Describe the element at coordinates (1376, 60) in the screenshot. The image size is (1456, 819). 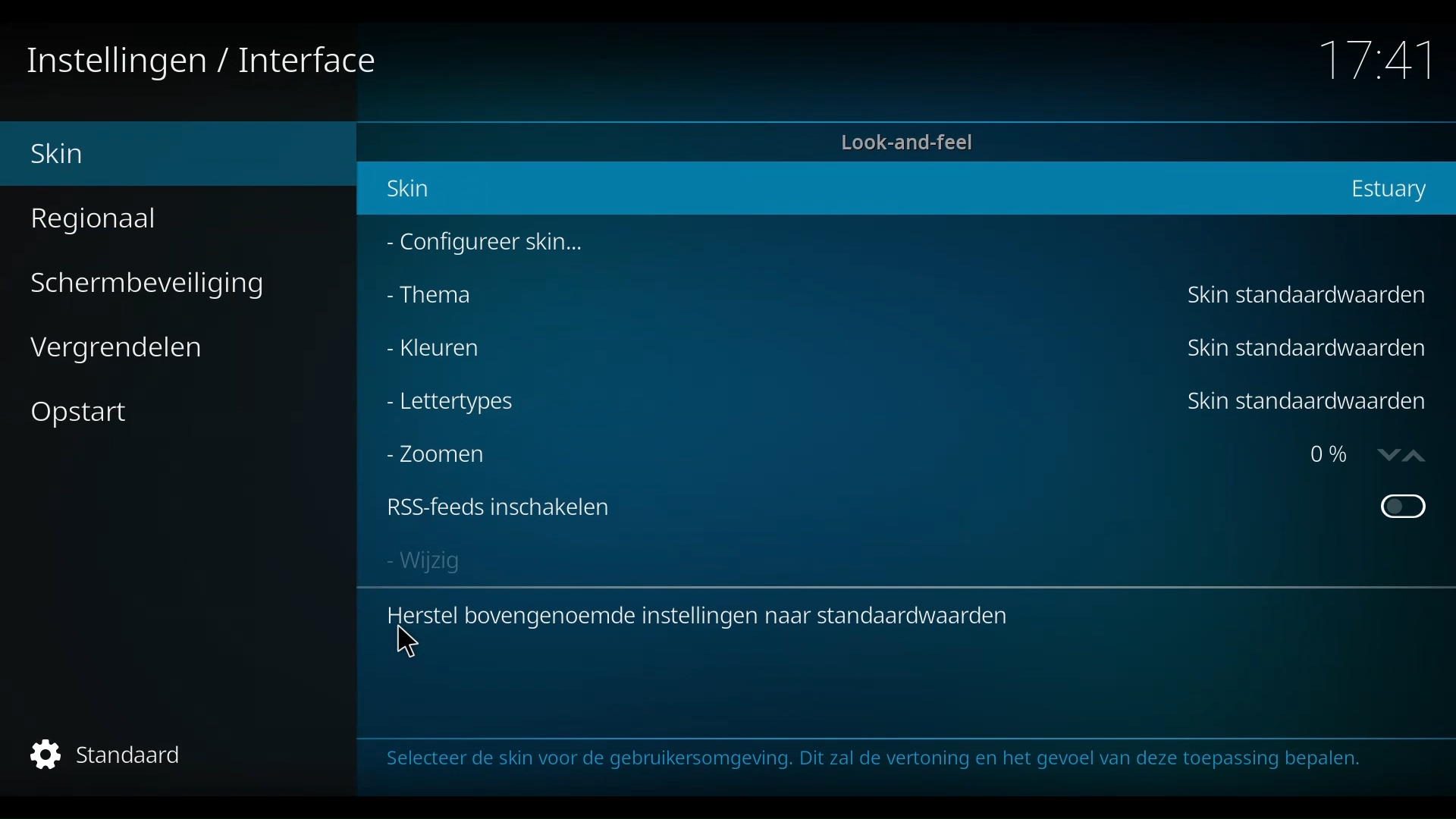
I see `Time` at that location.